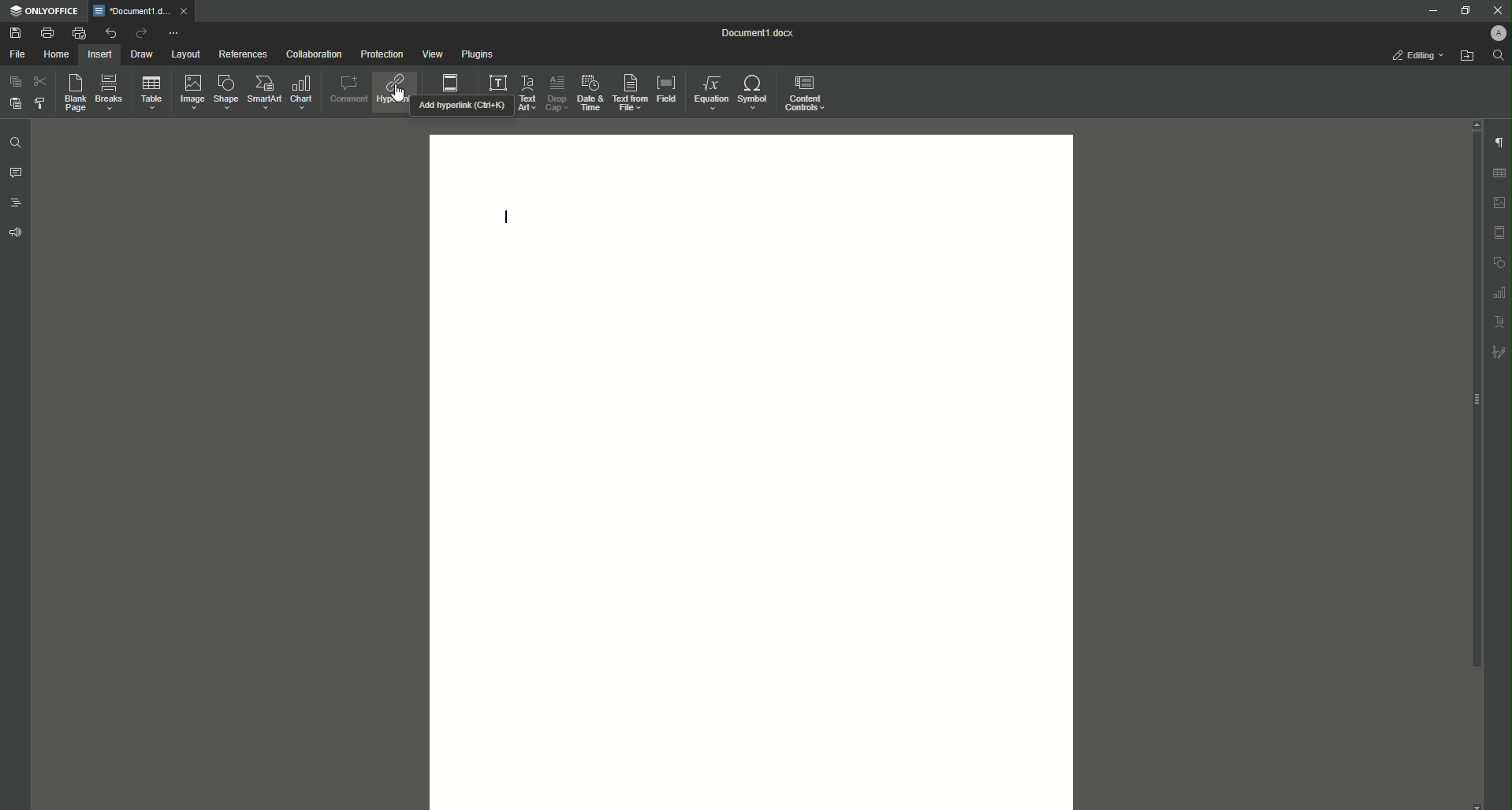  I want to click on scroll up, so click(1477, 124).